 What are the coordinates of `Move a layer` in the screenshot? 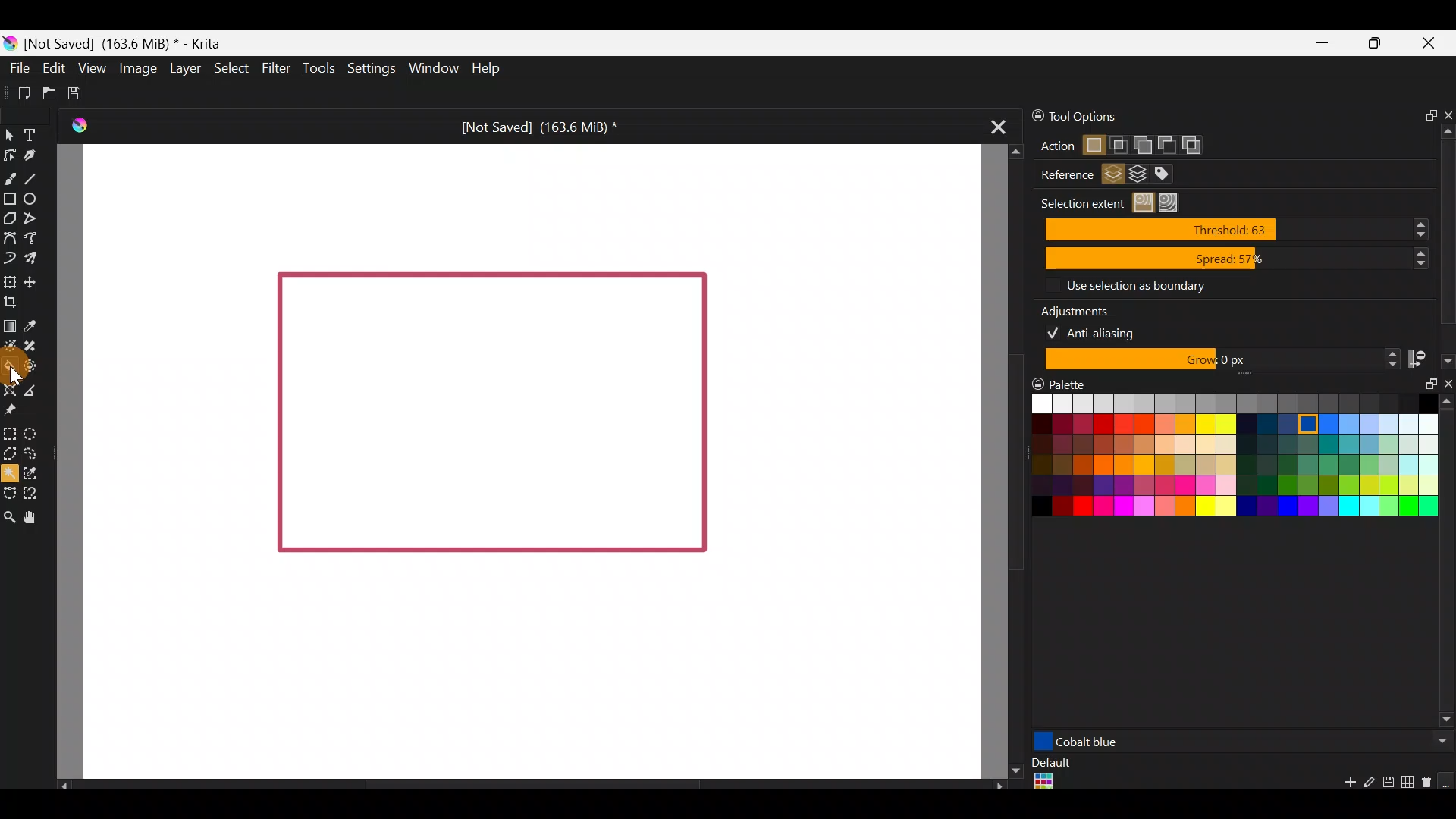 It's located at (36, 281).